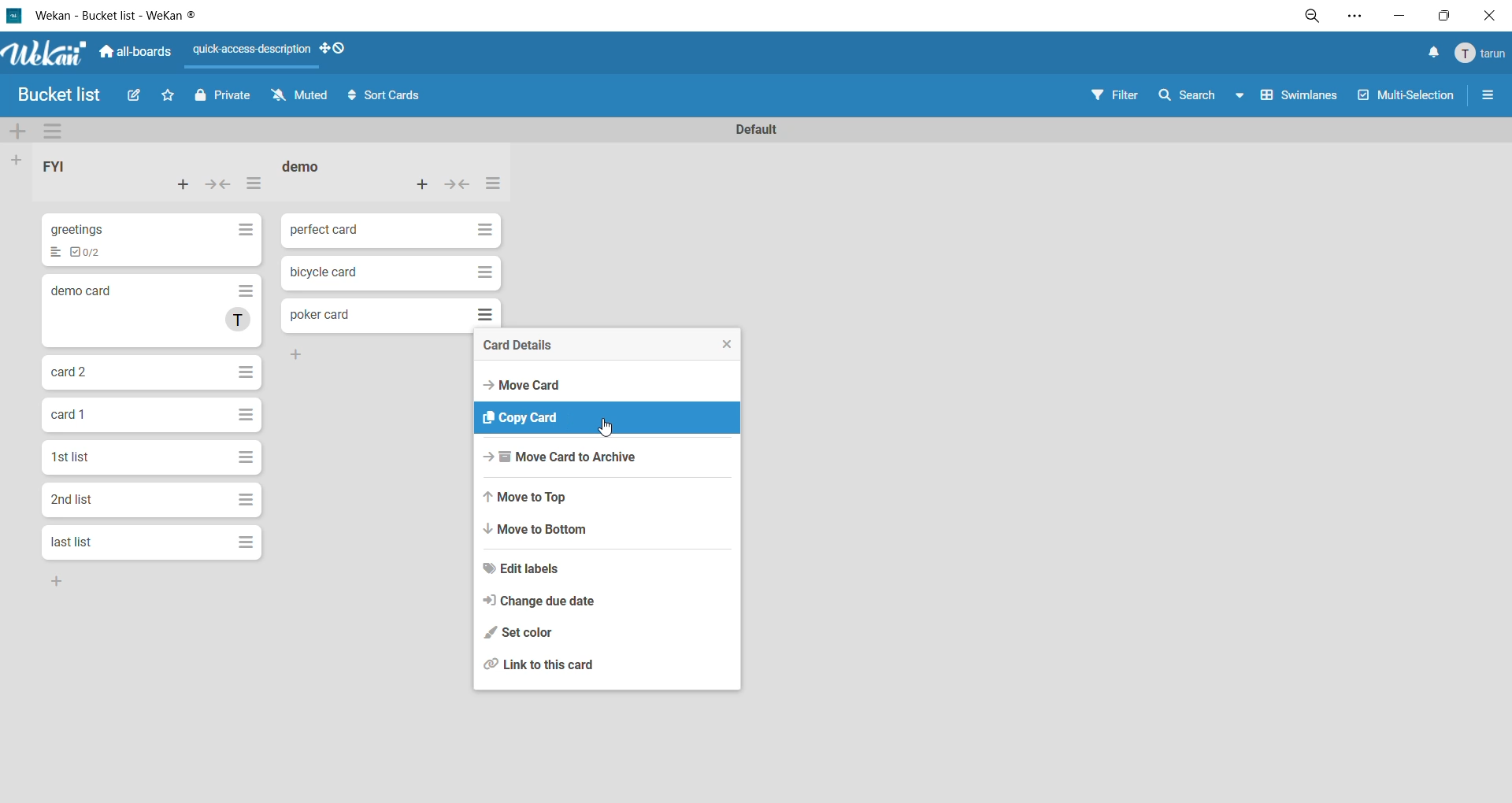 The width and height of the screenshot is (1512, 803). Describe the element at coordinates (424, 183) in the screenshot. I see `add card` at that location.